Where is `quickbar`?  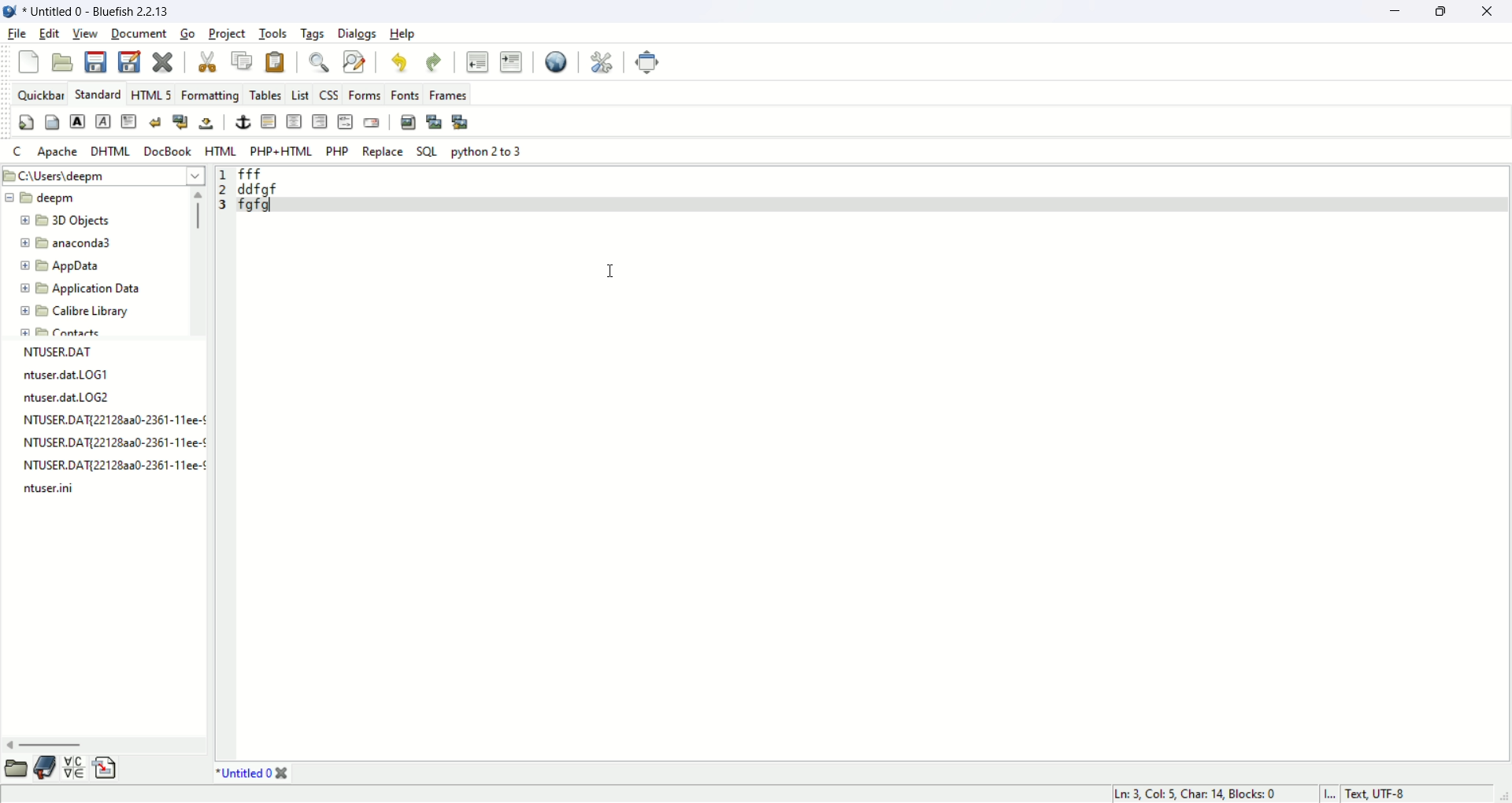
quickbar is located at coordinates (38, 93).